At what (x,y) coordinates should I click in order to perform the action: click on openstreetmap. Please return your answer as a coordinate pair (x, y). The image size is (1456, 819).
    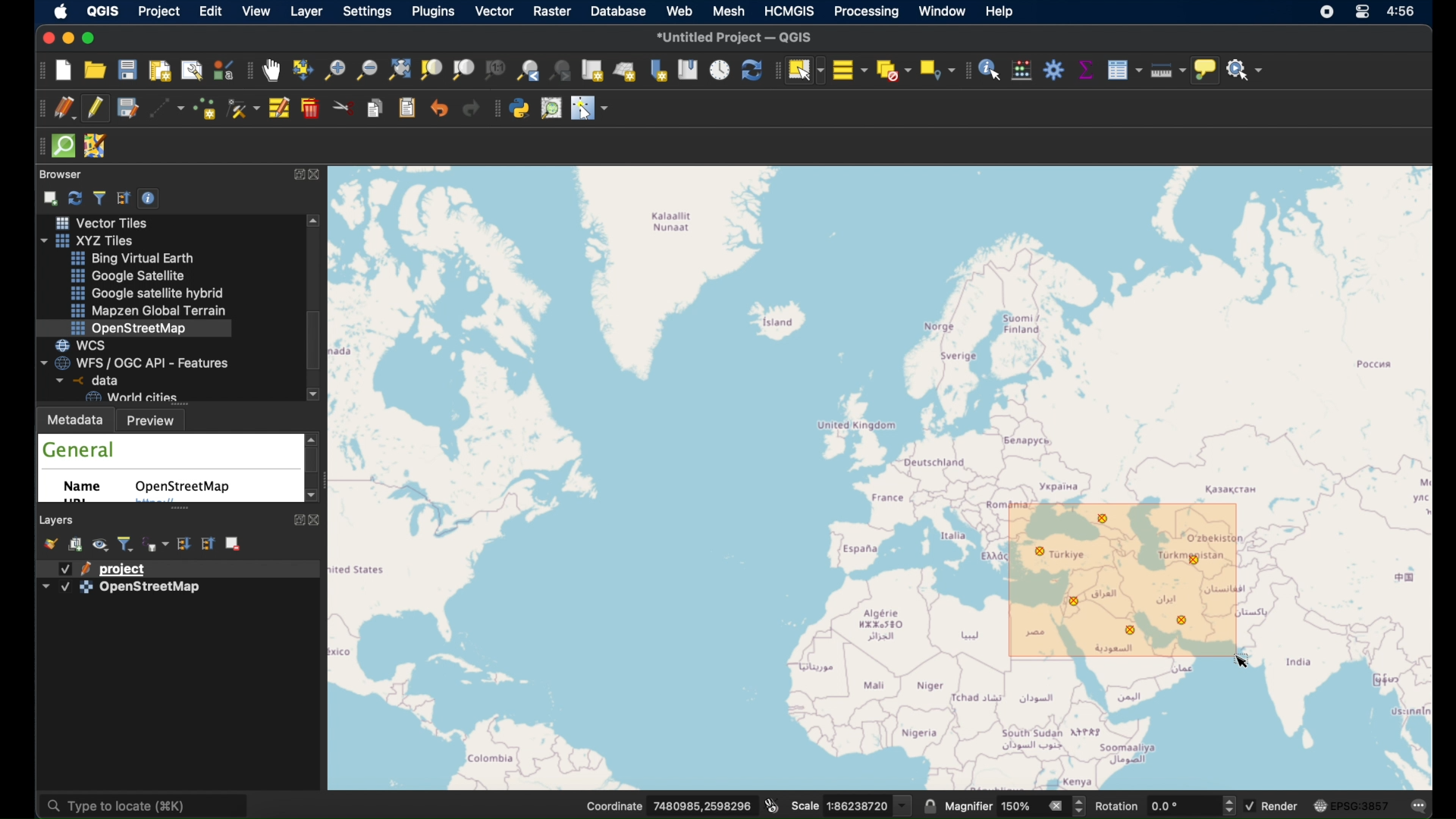
    Looking at the image, I should click on (130, 328).